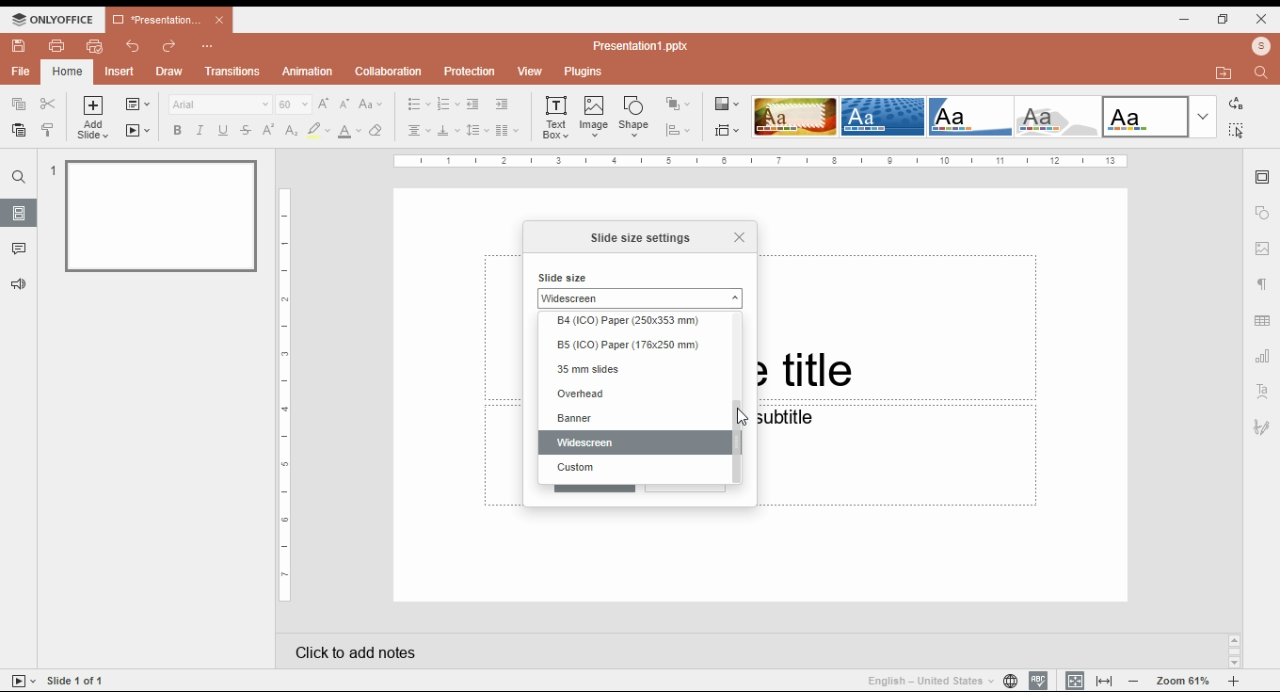 This screenshot has width=1280, height=692. Describe the element at coordinates (1185, 18) in the screenshot. I see `minimize` at that location.